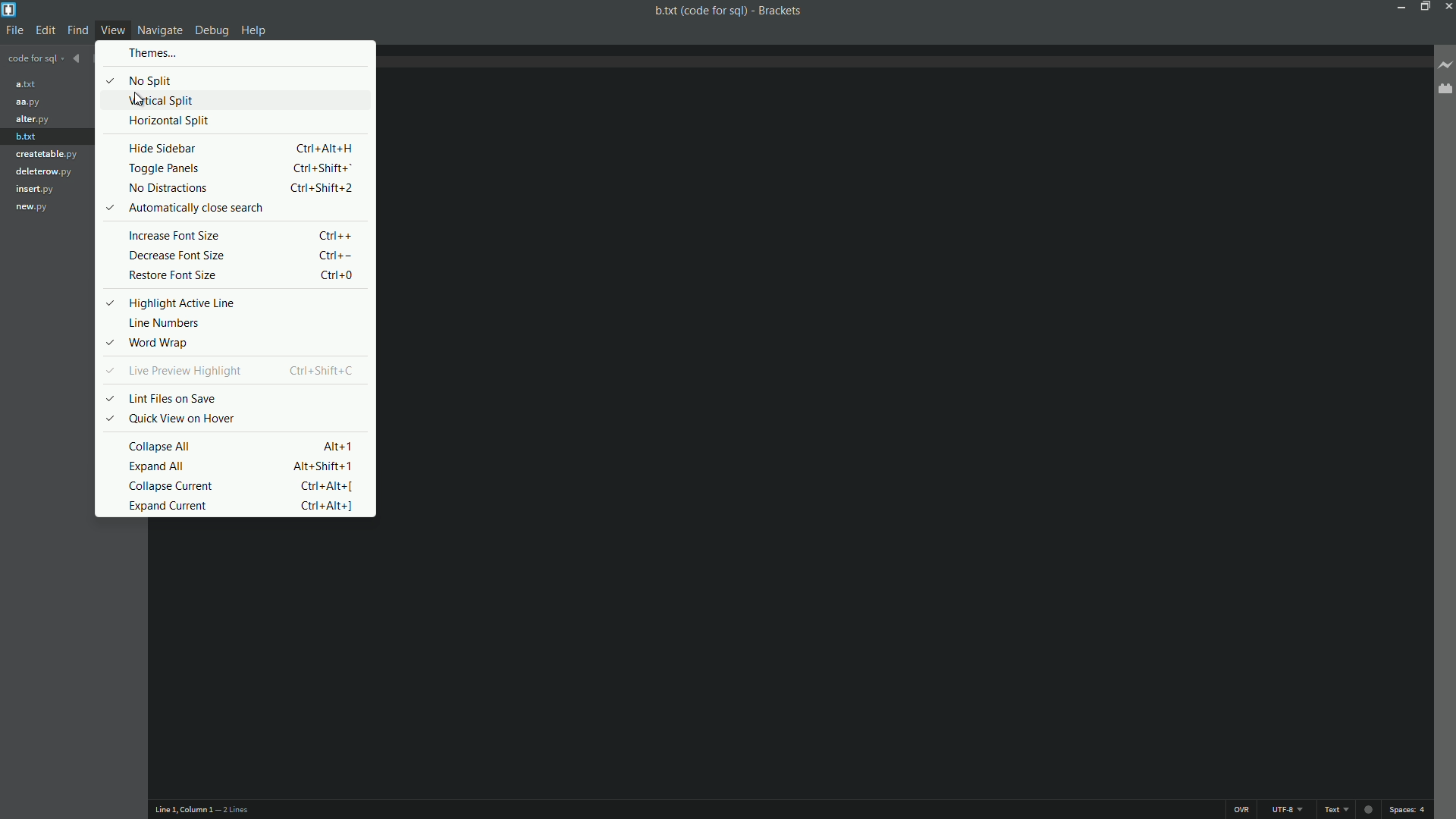 The image size is (1456, 819). Describe the element at coordinates (30, 120) in the screenshot. I see `alter.py` at that location.